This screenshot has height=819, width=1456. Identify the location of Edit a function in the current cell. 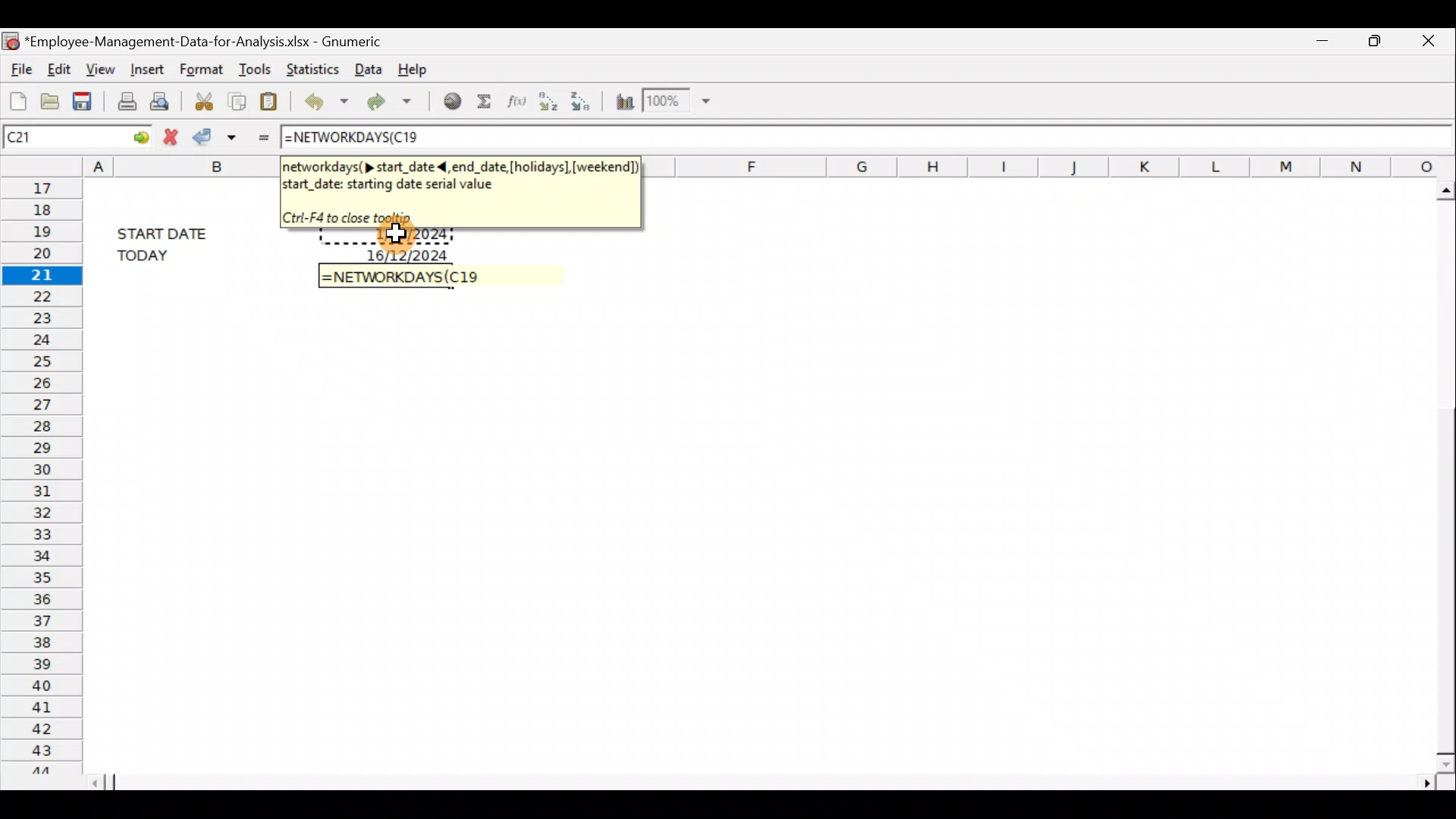
(514, 102).